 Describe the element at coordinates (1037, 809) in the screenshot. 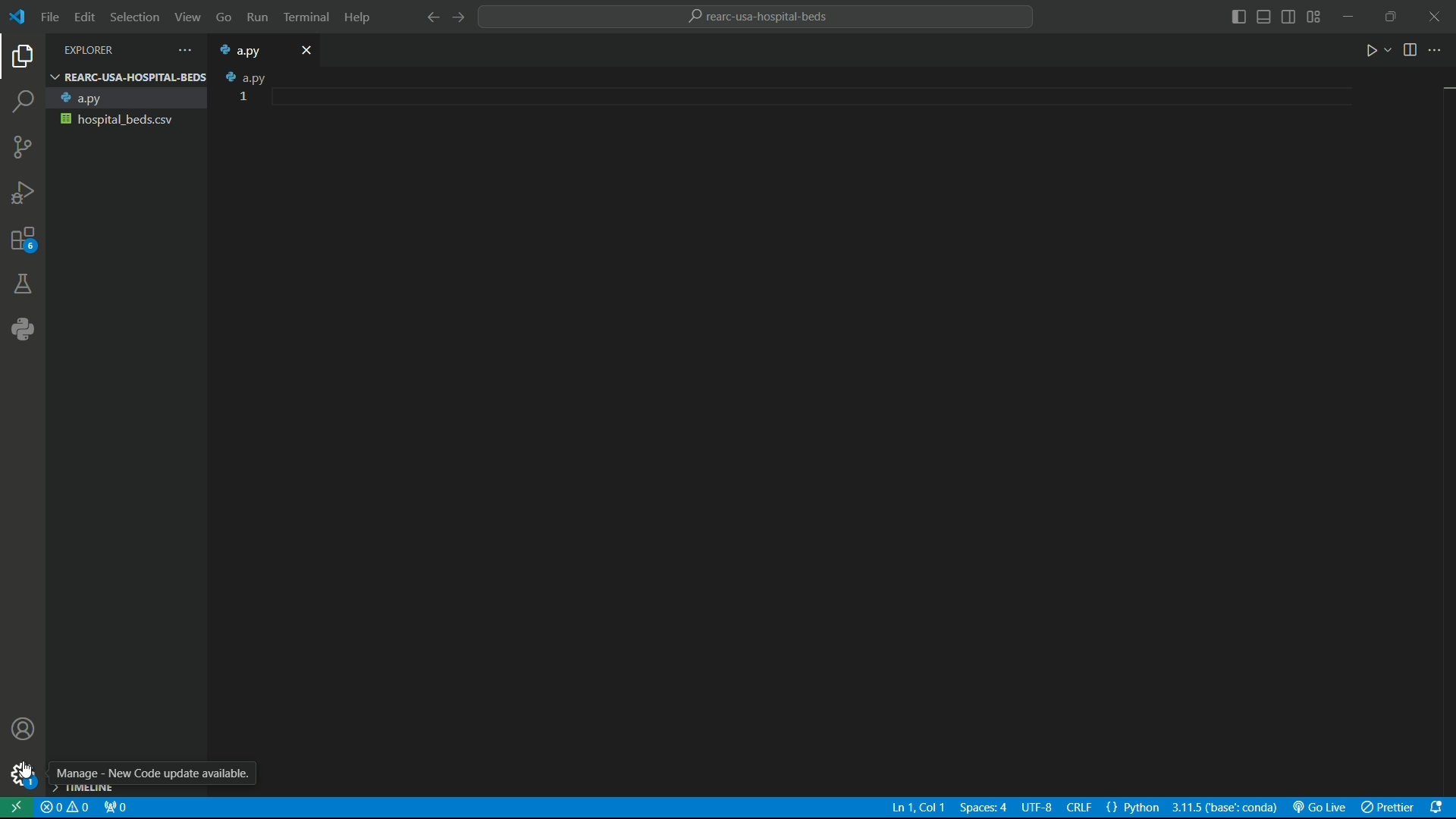

I see `UTF-8` at that location.